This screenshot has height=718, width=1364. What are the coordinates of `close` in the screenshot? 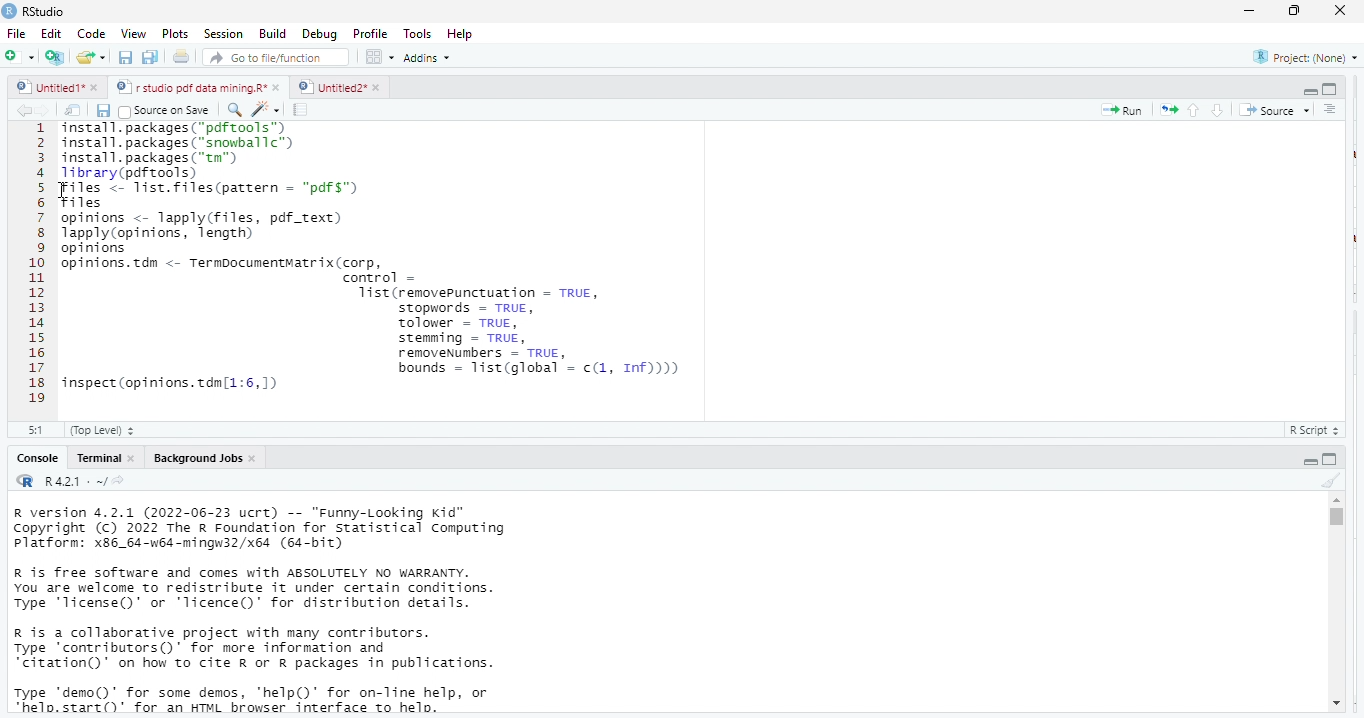 It's located at (278, 88).